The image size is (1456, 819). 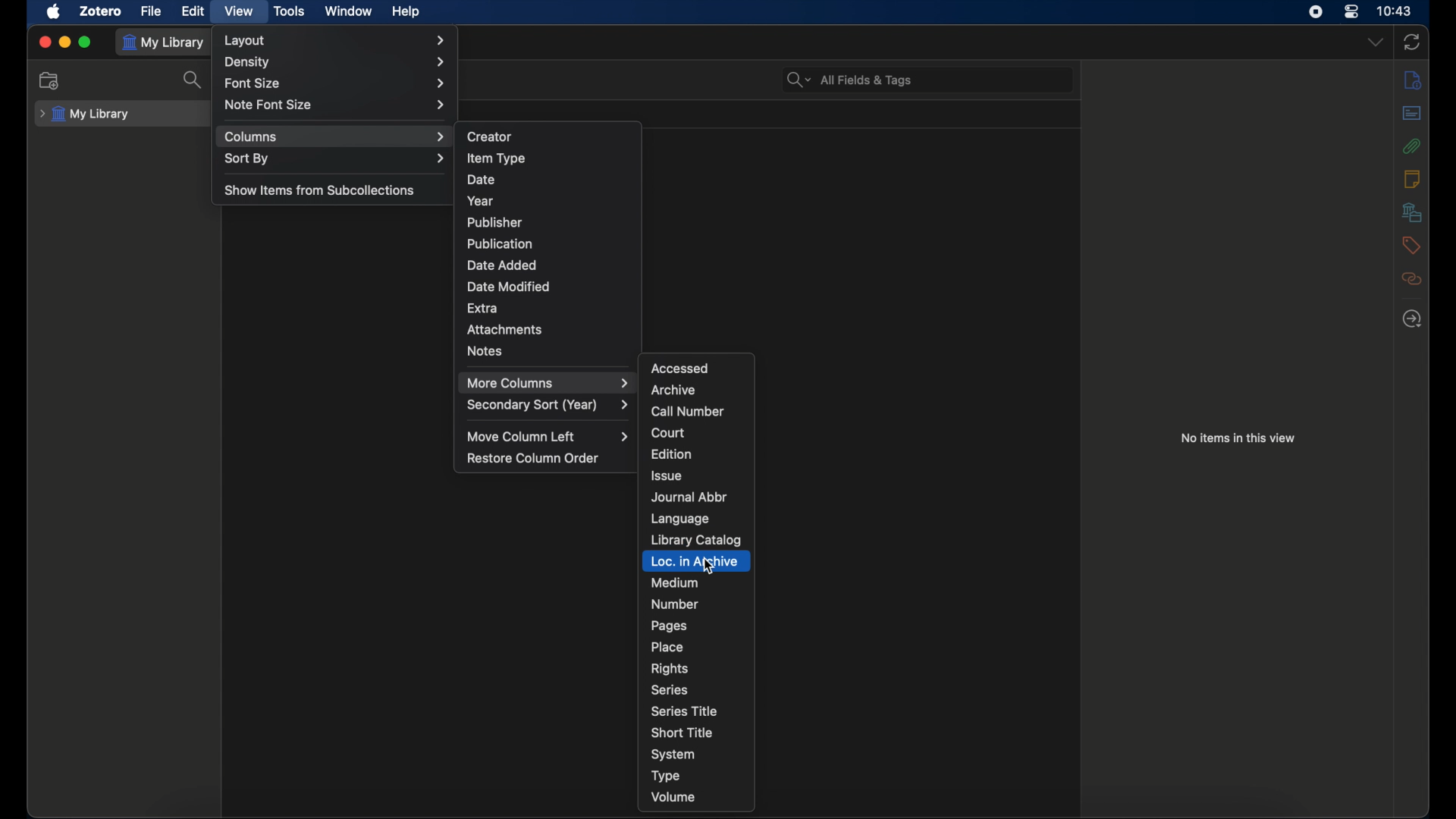 What do you see at coordinates (688, 410) in the screenshot?
I see `call number` at bounding box center [688, 410].